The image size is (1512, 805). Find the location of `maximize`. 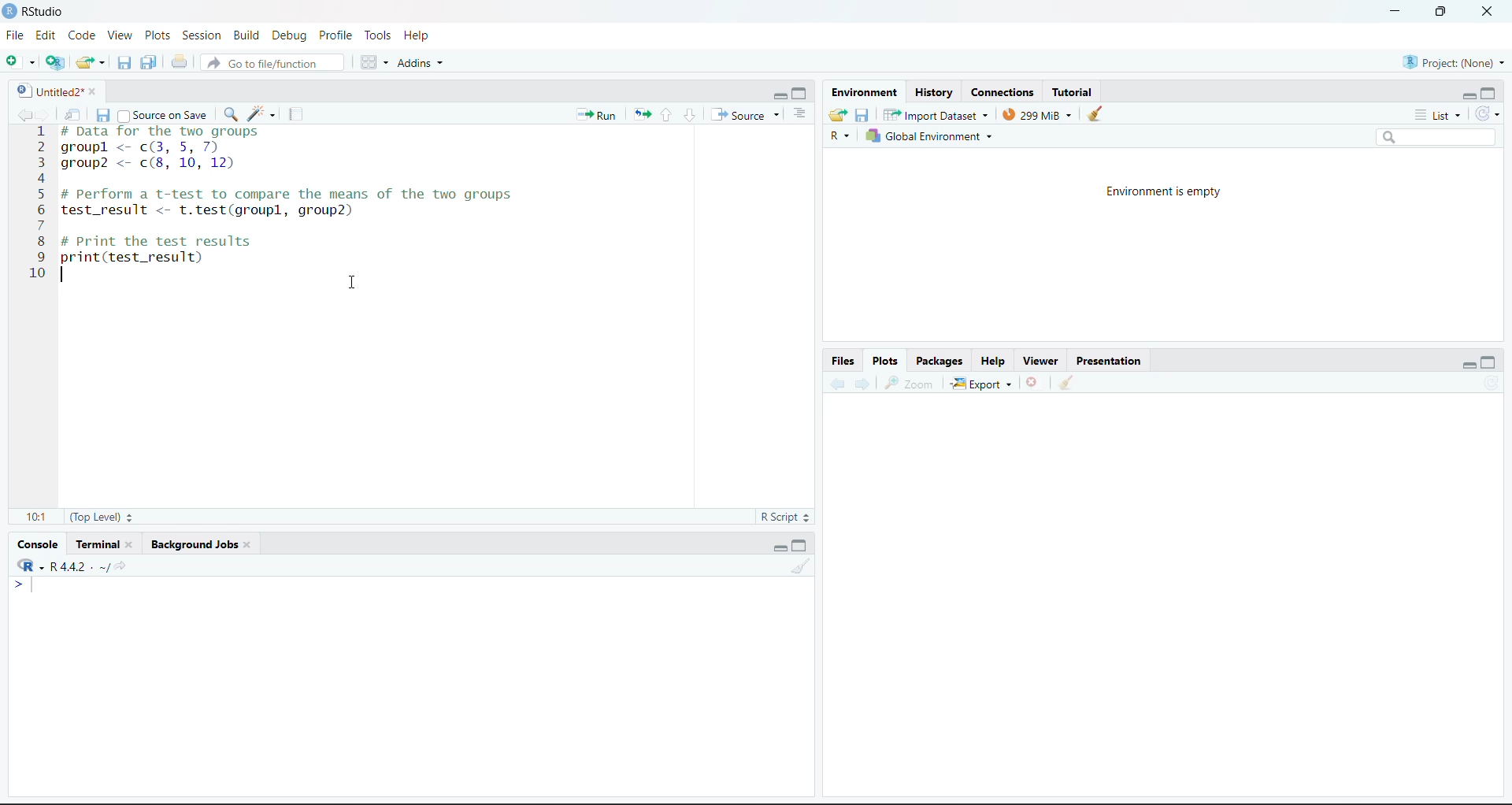

maximize is located at coordinates (799, 546).